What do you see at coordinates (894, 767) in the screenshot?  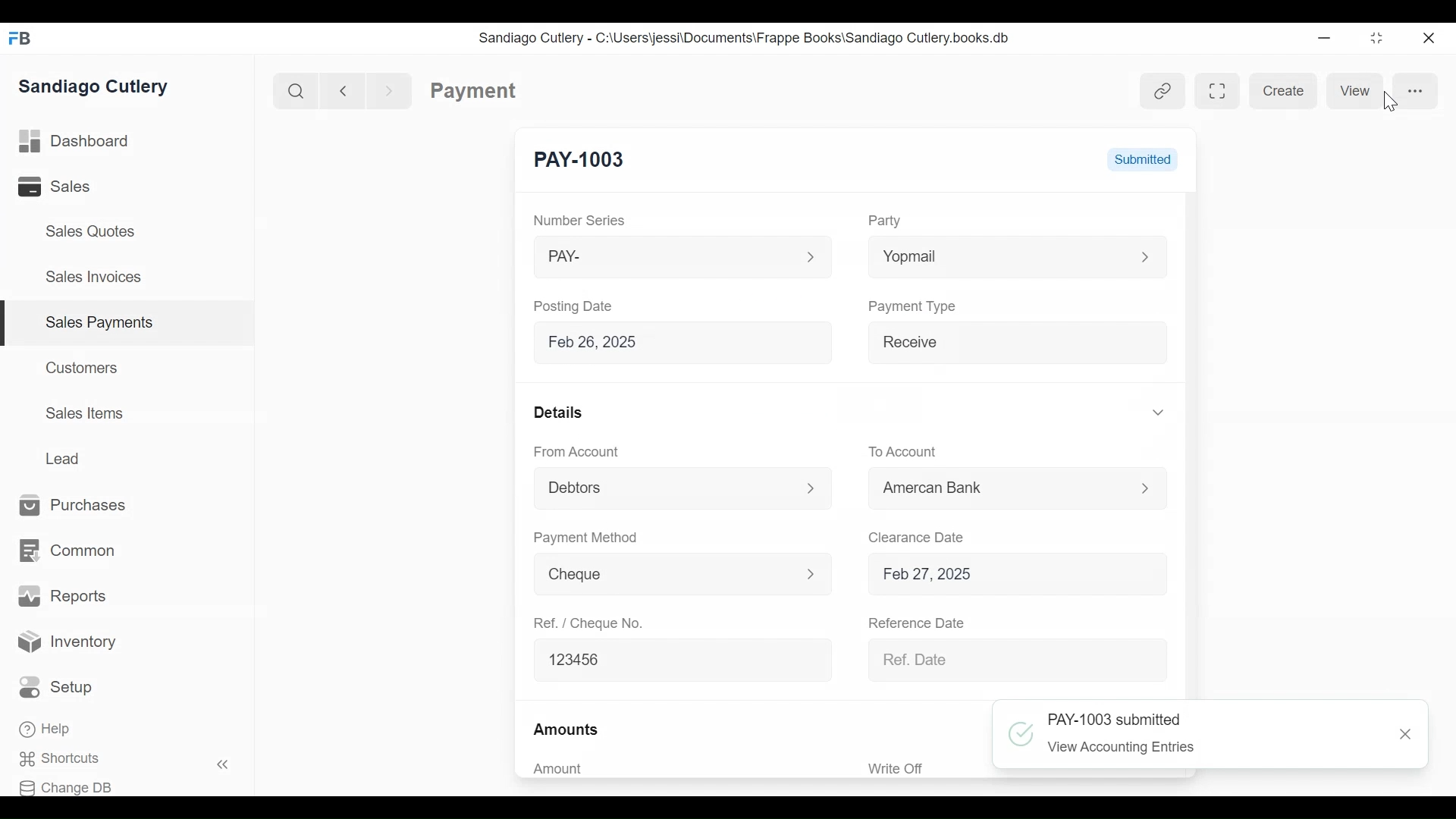 I see `Write Off` at bounding box center [894, 767].